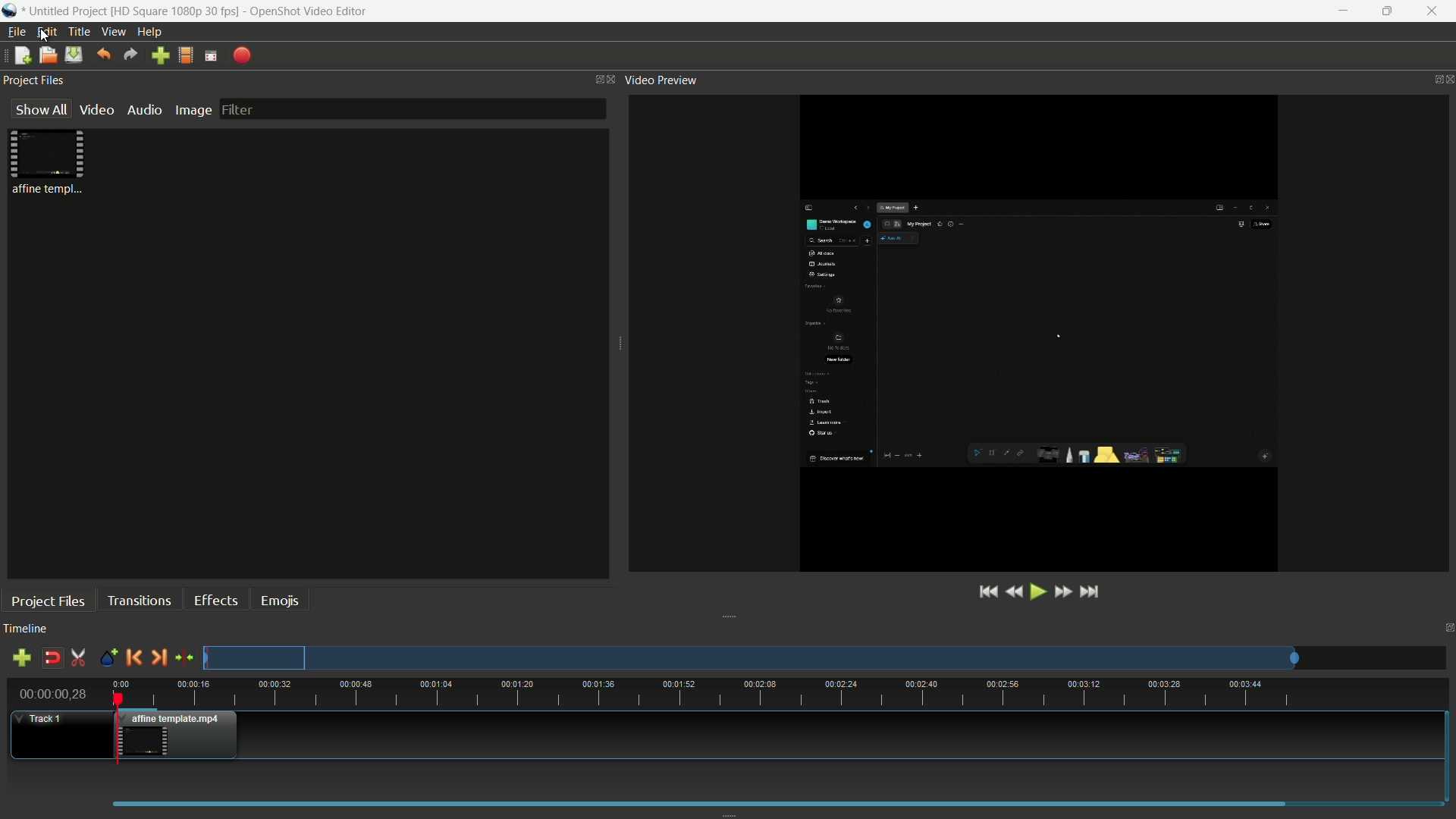  What do you see at coordinates (211, 55) in the screenshot?
I see `full screen` at bounding box center [211, 55].